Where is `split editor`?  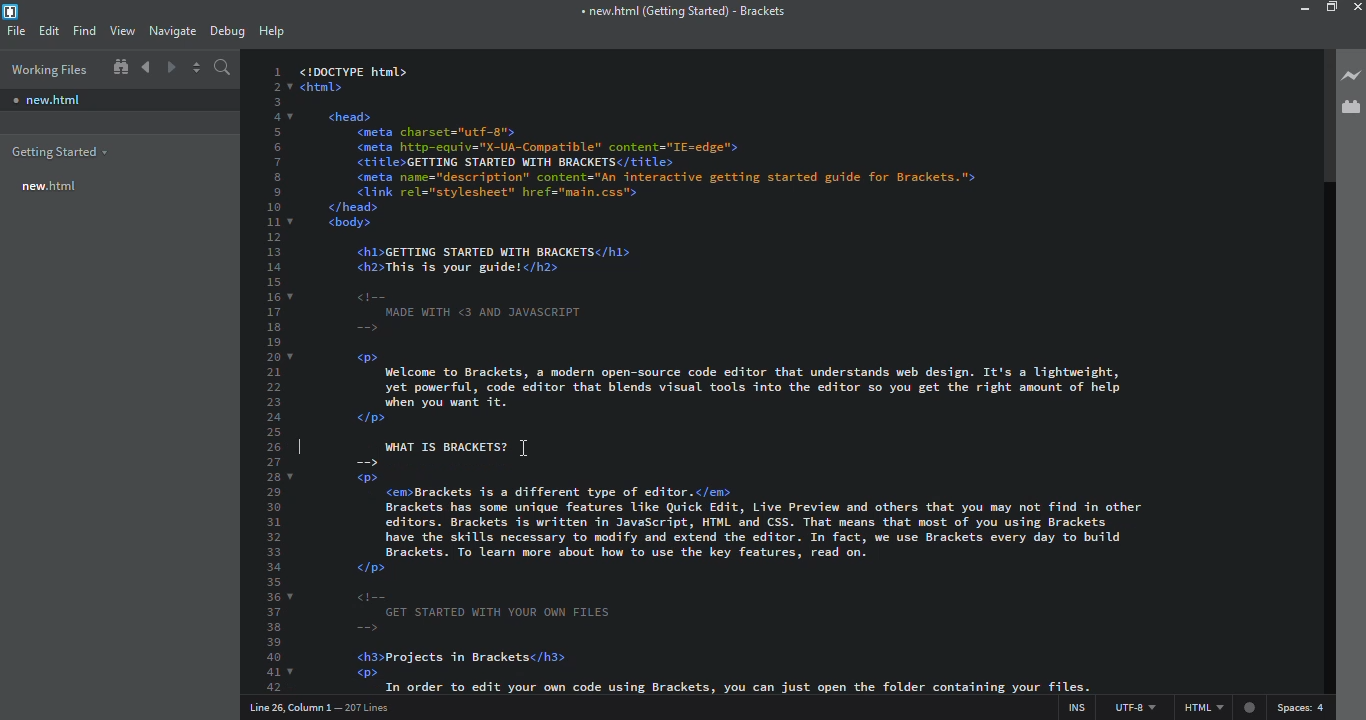 split editor is located at coordinates (198, 70).